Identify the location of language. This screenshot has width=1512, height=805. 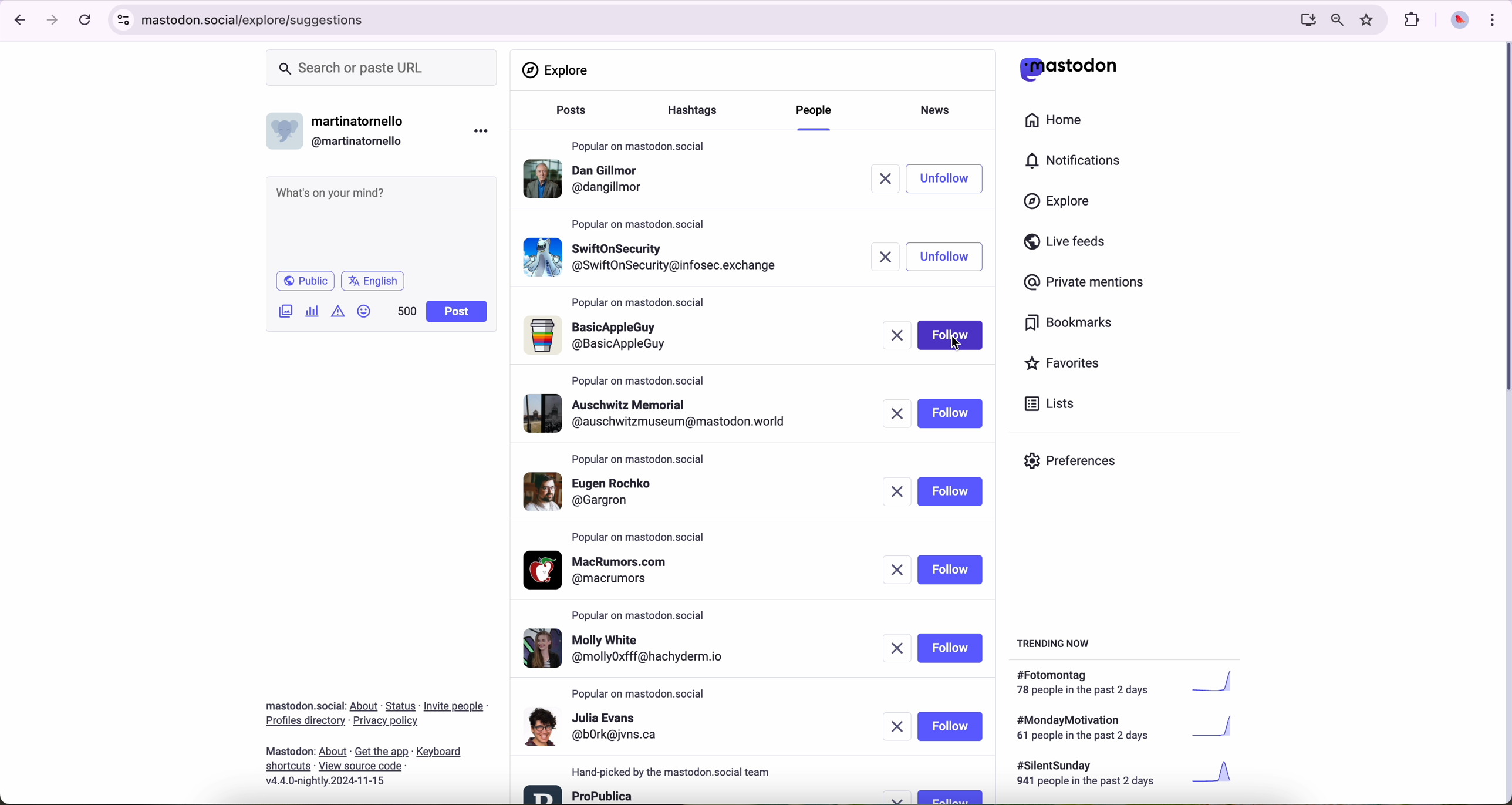
(373, 280).